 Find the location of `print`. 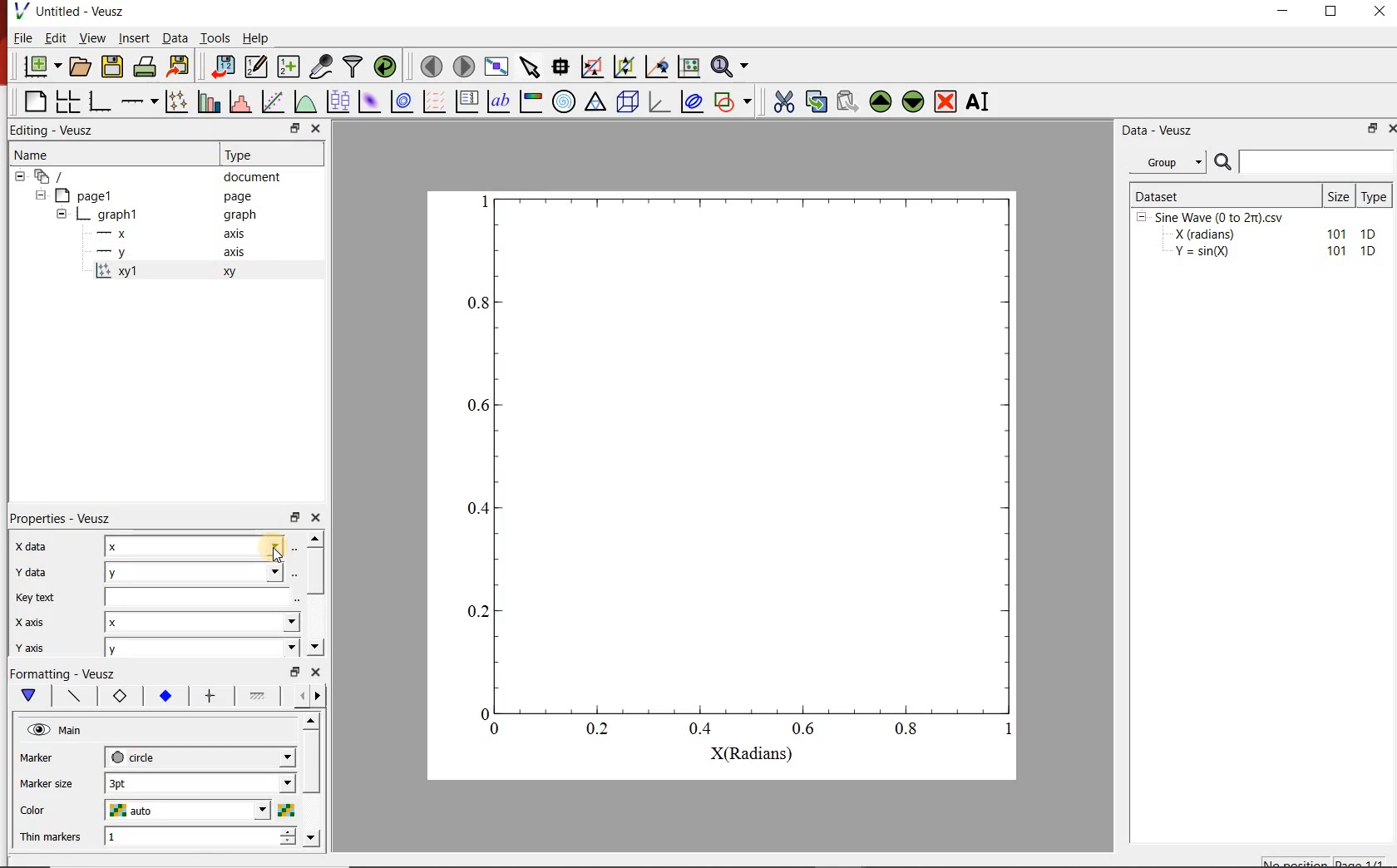

print is located at coordinates (146, 67).